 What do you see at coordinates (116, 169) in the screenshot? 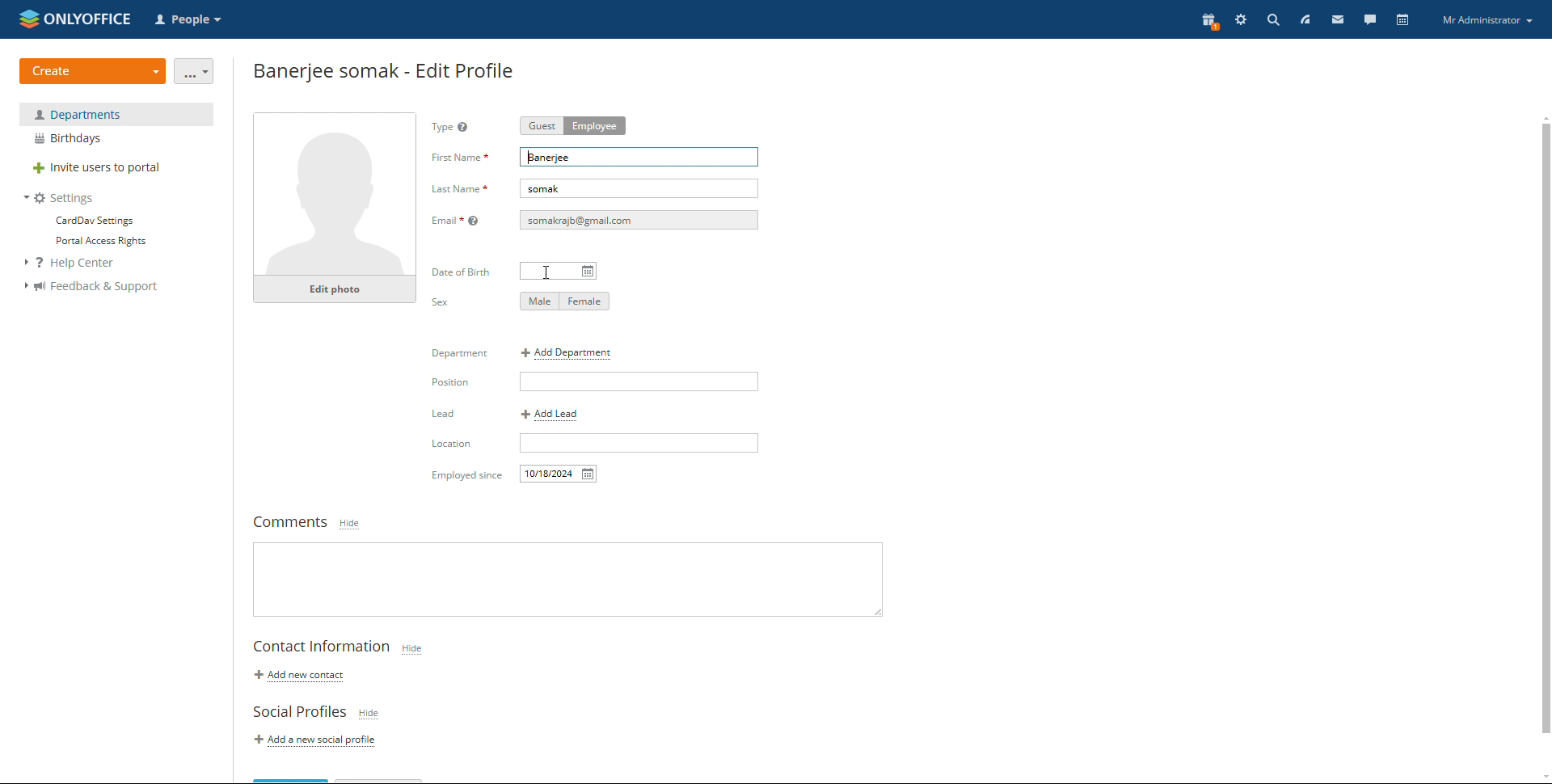
I see `invite users to portal` at bounding box center [116, 169].